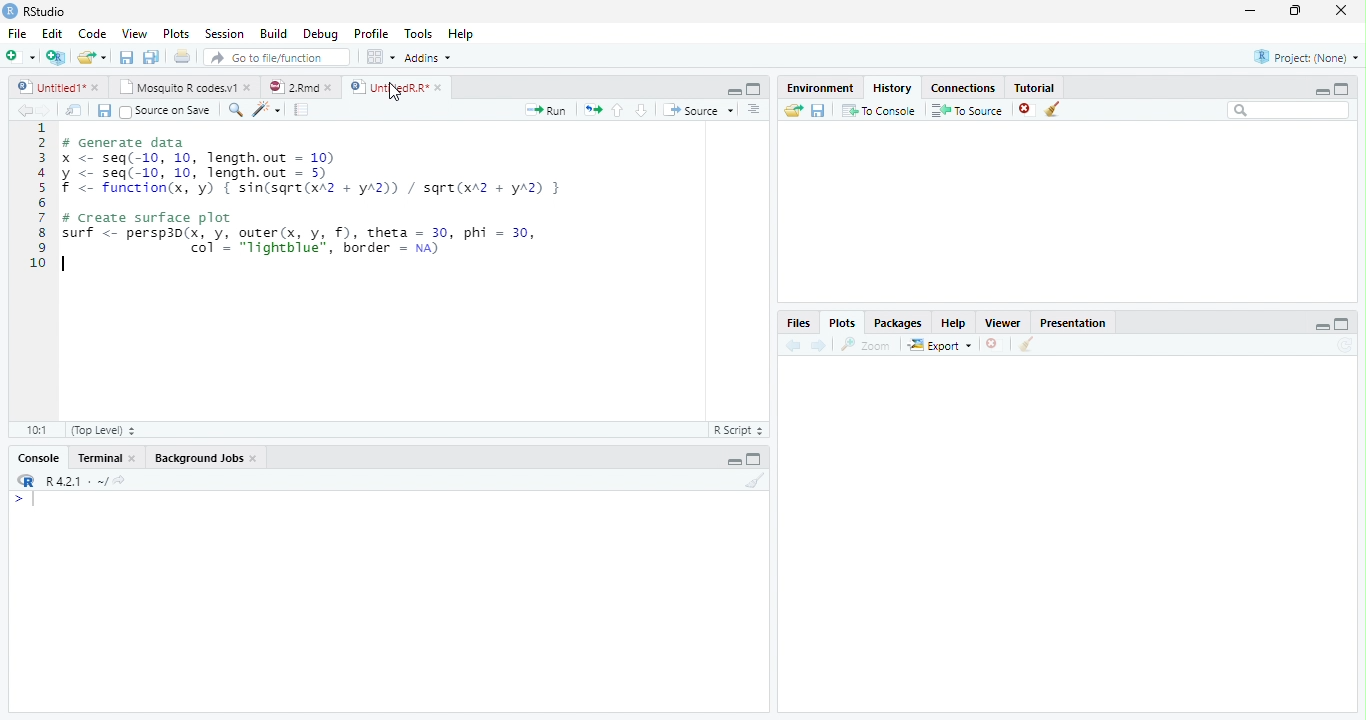 This screenshot has width=1366, height=720. Describe the element at coordinates (756, 480) in the screenshot. I see `Clear console` at that location.